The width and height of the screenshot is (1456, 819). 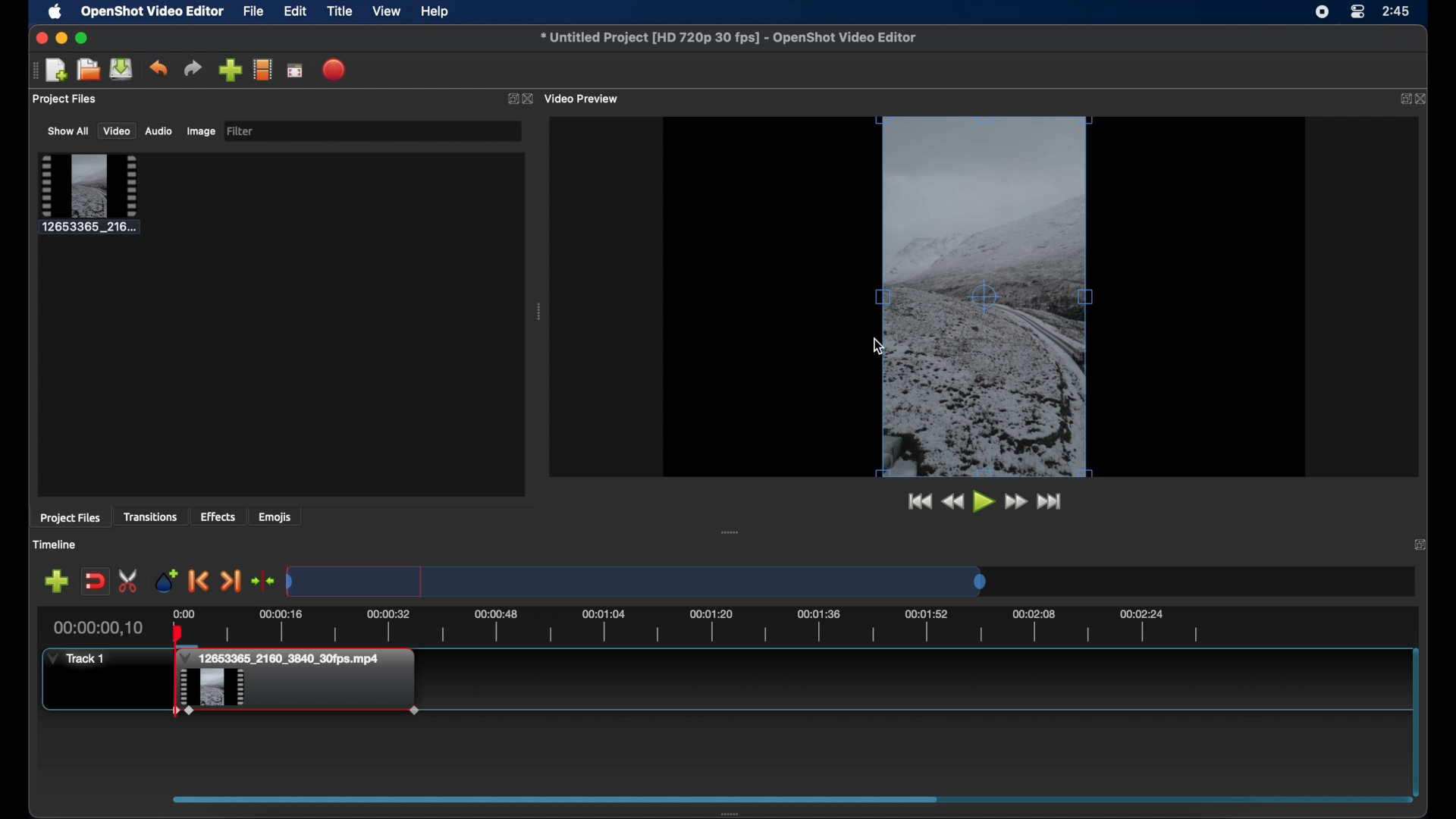 What do you see at coordinates (218, 516) in the screenshot?
I see `effects` at bounding box center [218, 516].